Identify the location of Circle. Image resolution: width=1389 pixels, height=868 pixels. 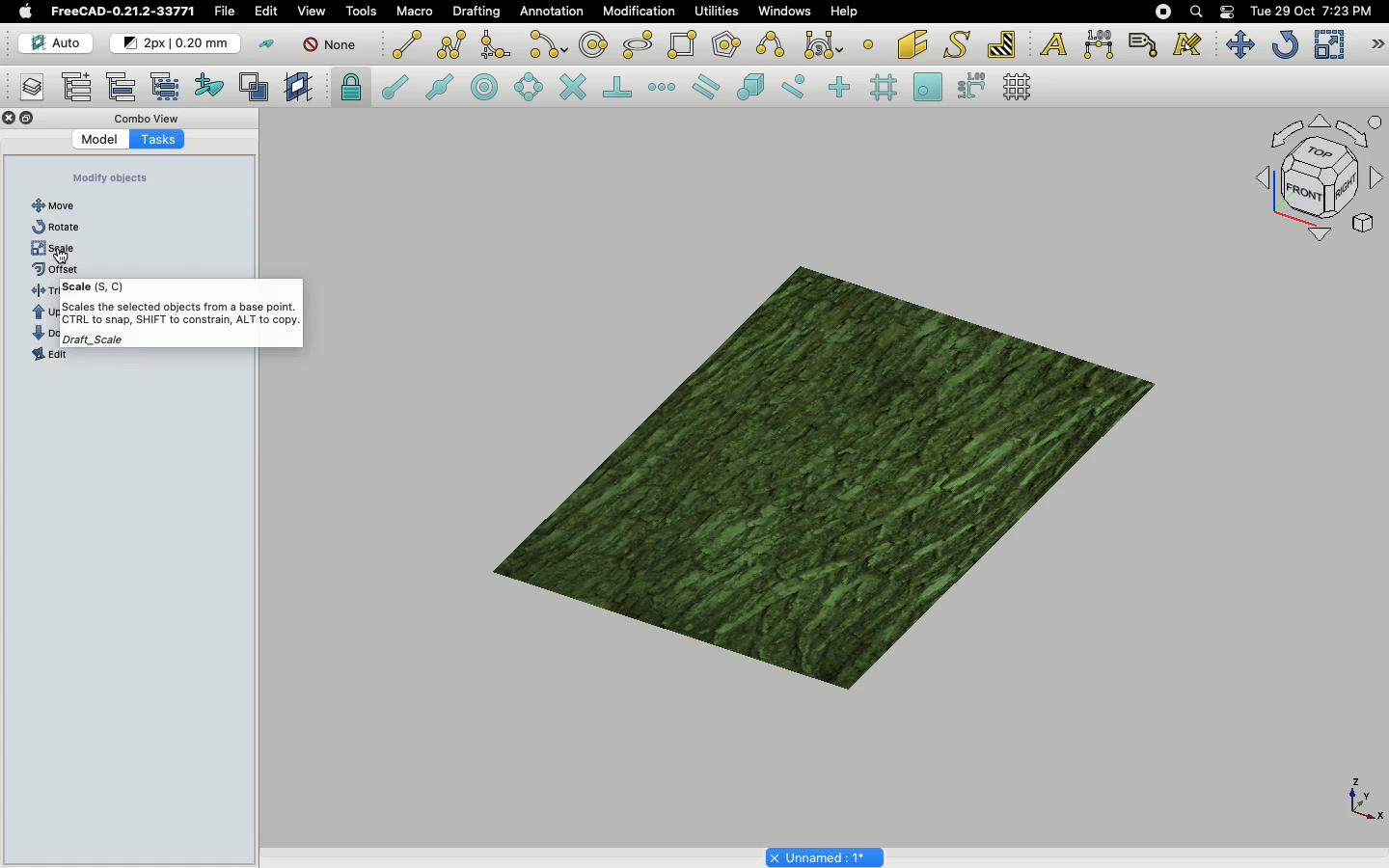
(593, 44).